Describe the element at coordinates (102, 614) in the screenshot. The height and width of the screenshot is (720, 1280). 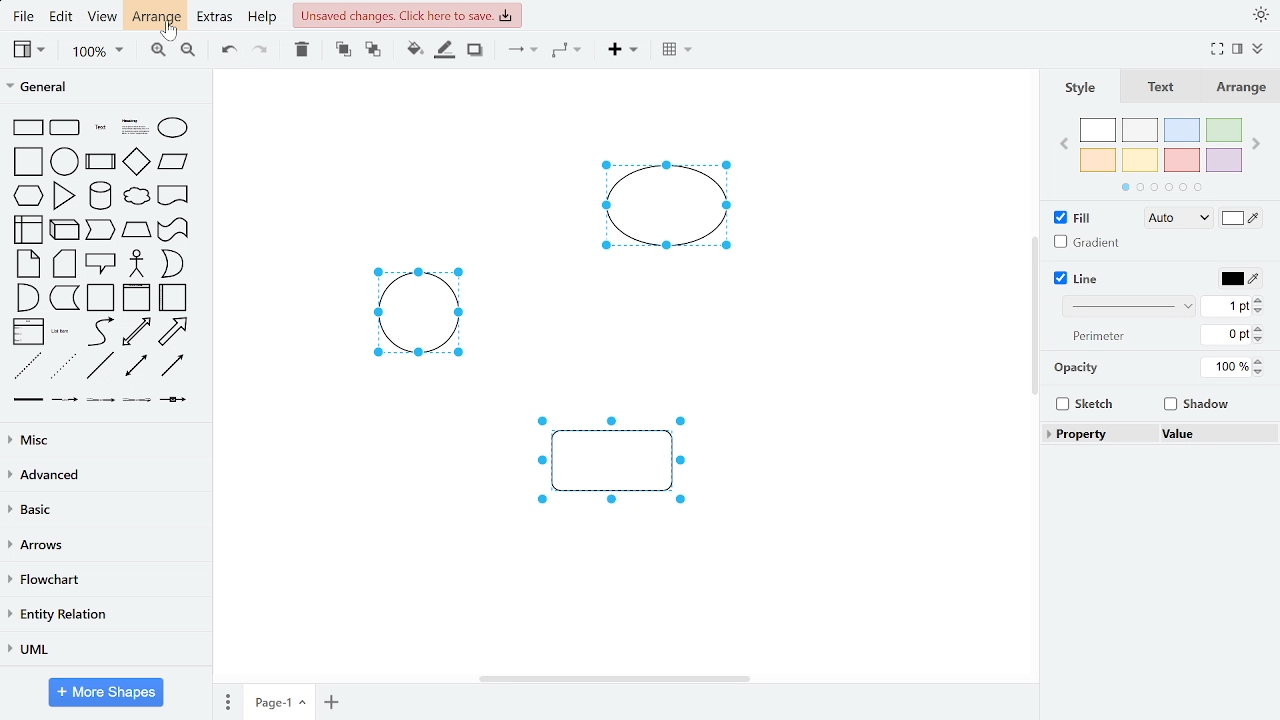
I see `entity relation` at that location.